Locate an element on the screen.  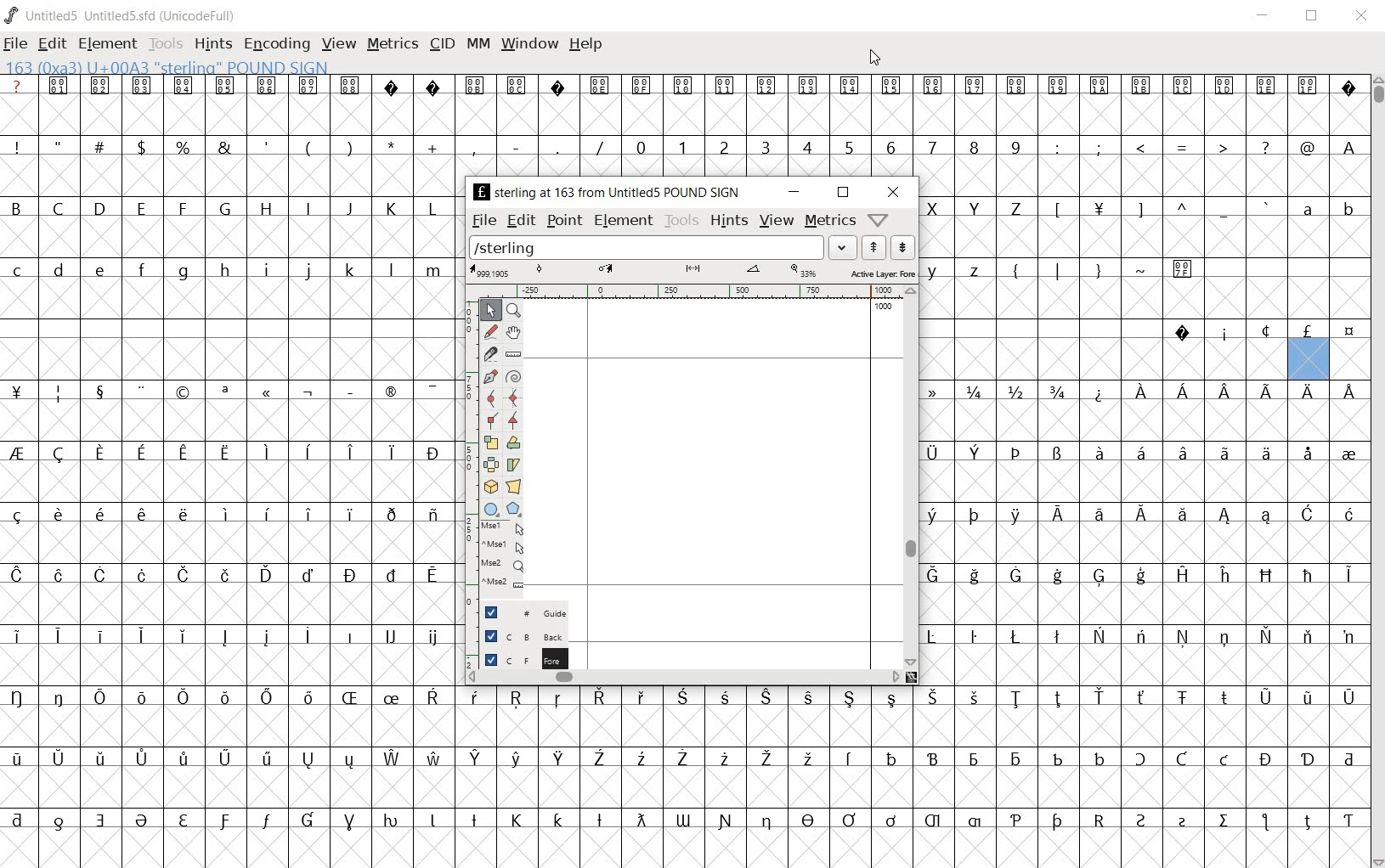
Symbol is located at coordinates (599, 759).